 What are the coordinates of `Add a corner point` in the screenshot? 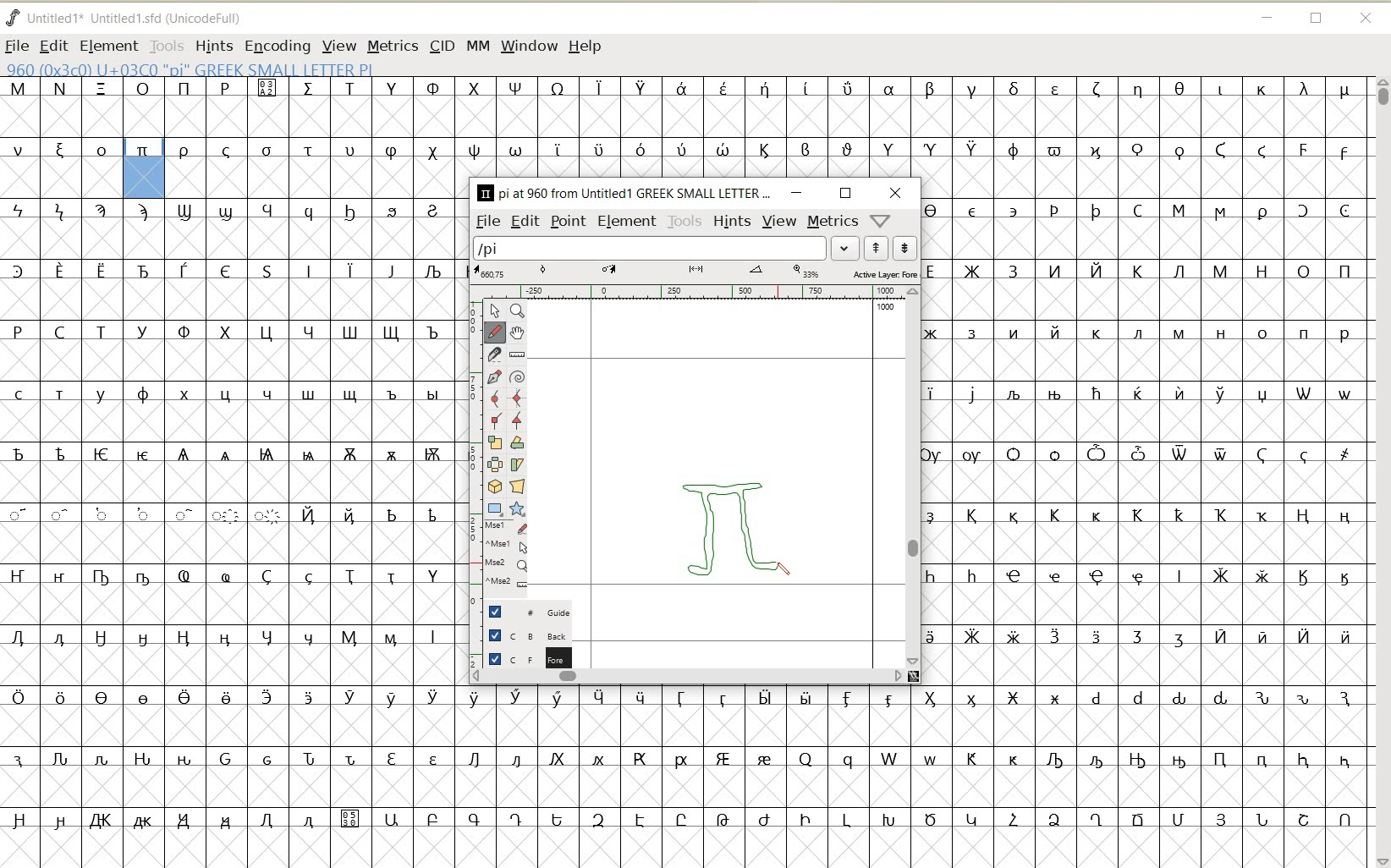 It's located at (494, 420).